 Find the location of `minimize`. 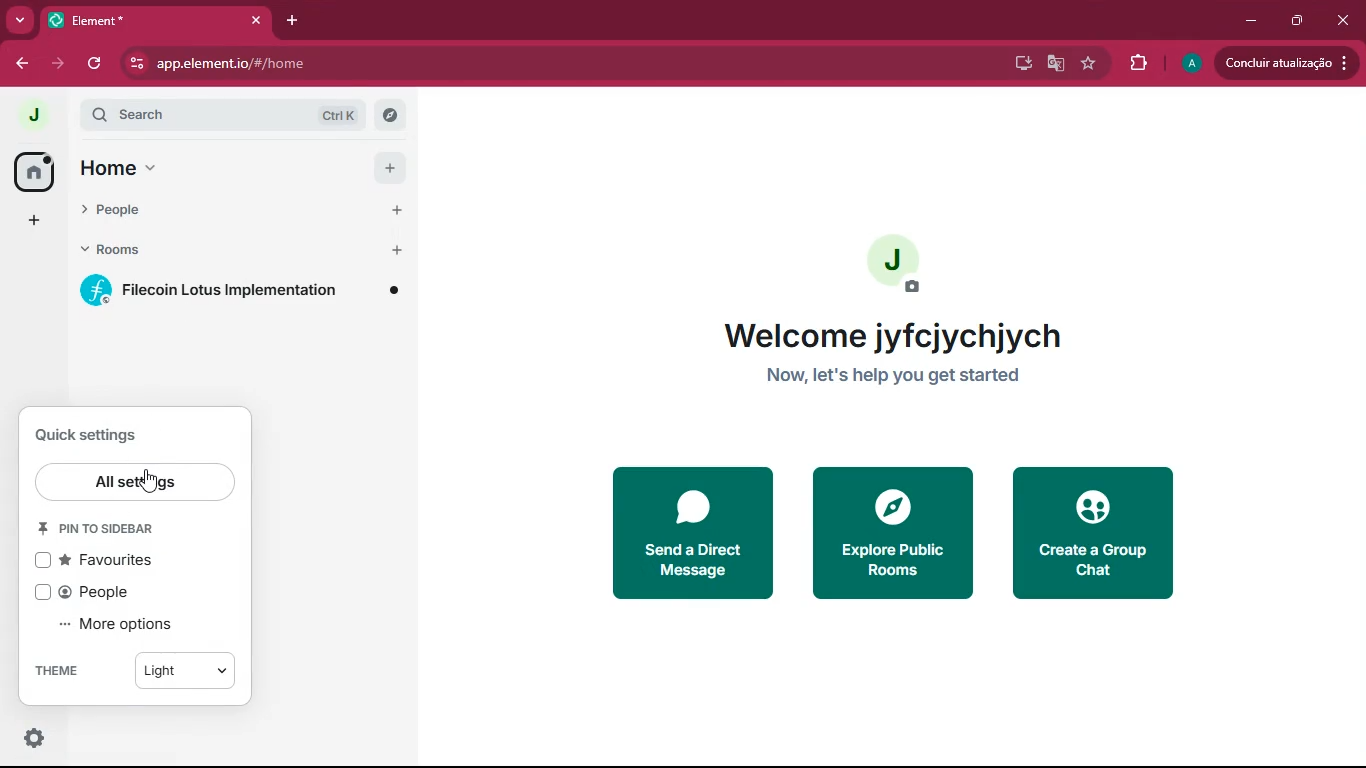

minimize is located at coordinates (1249, 21).